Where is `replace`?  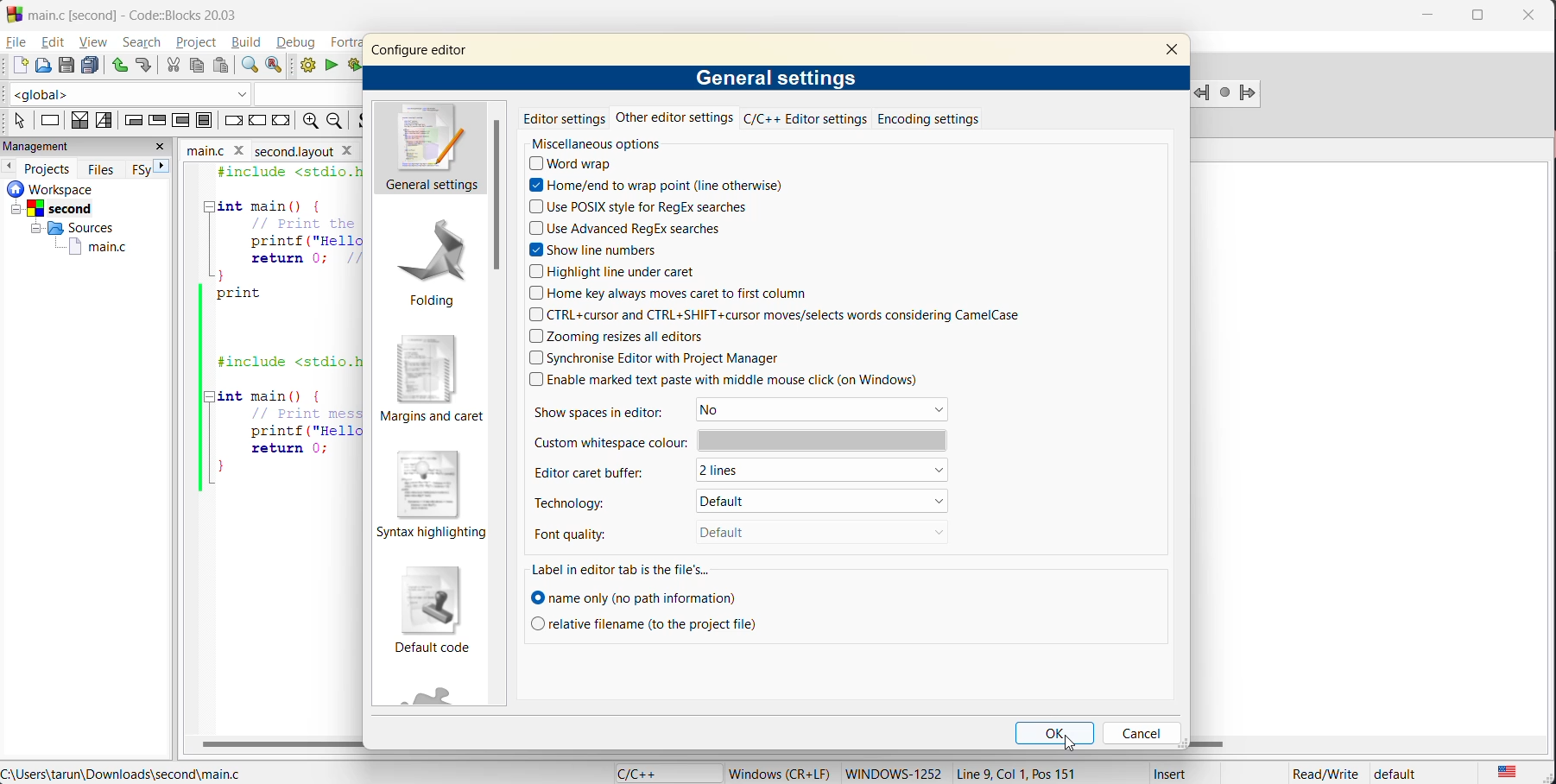 replace is located at coordinates (281, 68).